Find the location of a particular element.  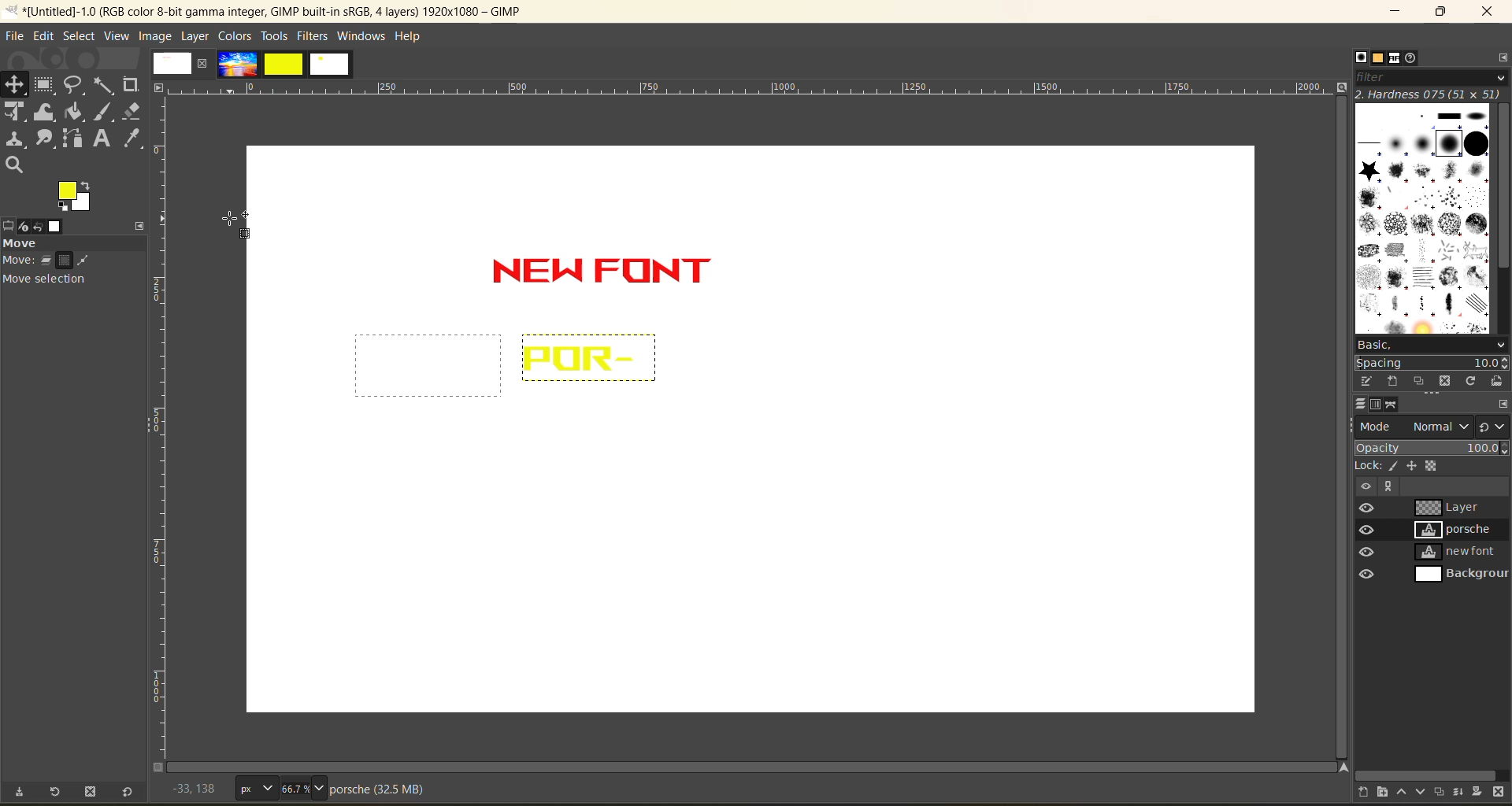

vertical scroll bar is located at coordinates (1336, 242).